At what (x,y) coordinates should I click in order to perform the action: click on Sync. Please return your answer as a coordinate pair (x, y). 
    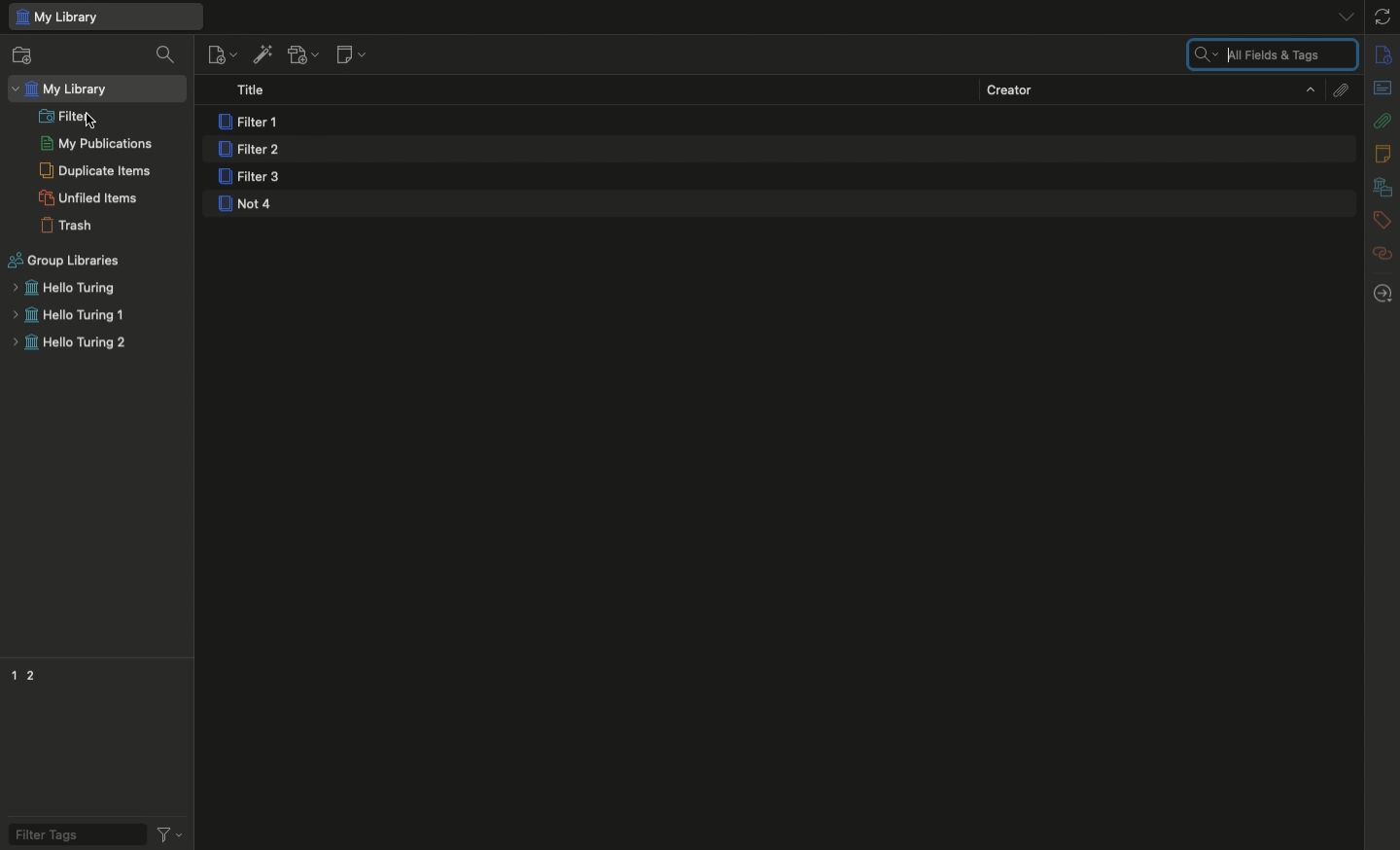
    Looking at the image, I should click on (1383, 17).